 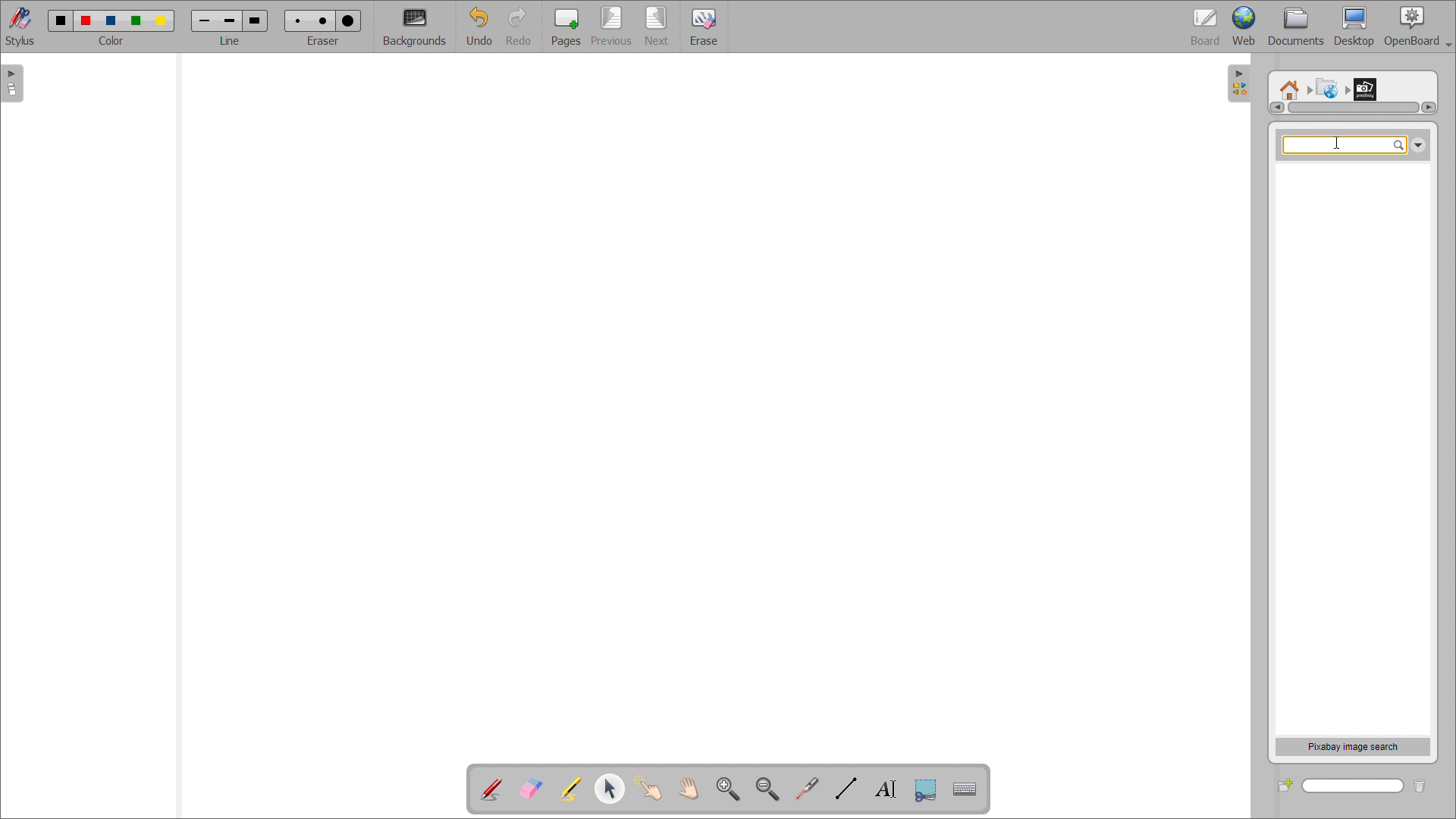 I want to click on backgrounds, so click(x=416, y=27).